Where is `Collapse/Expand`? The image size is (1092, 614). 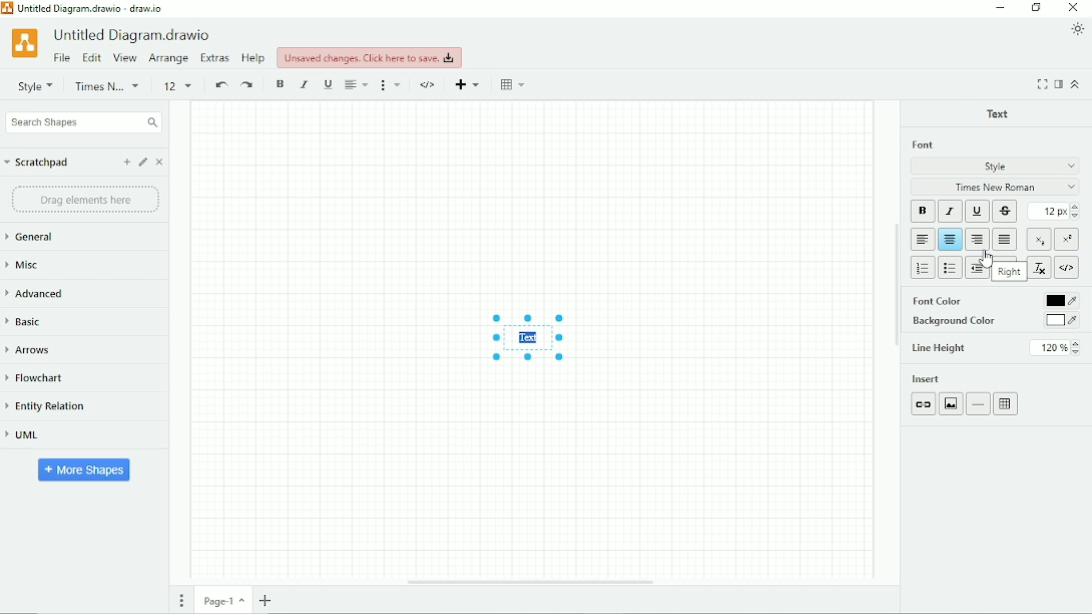
Collapse/Expand is located at coordinates (1077, 85).